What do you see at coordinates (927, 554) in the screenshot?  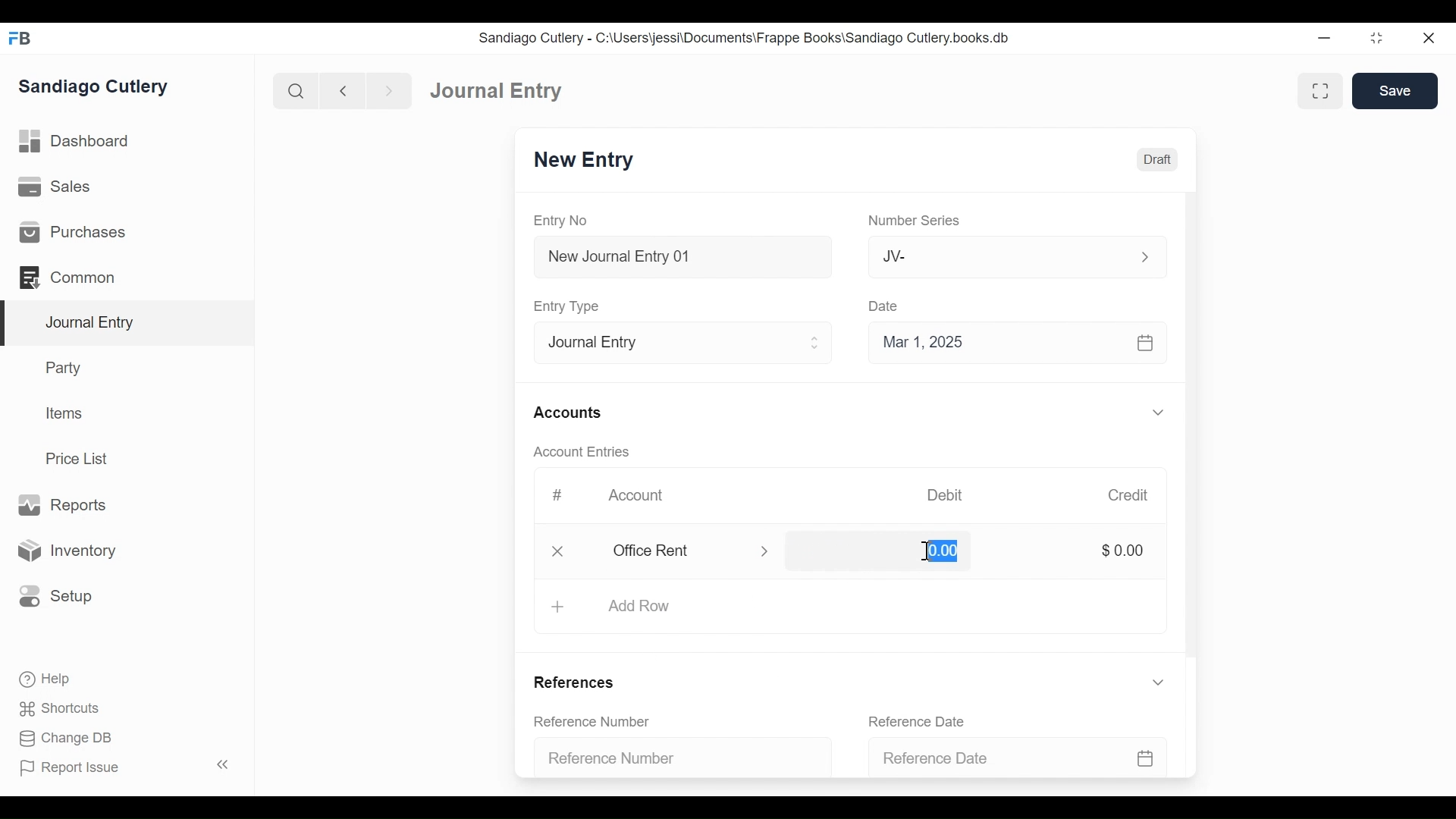 I see `cursor` at bounding box center [927, 554].